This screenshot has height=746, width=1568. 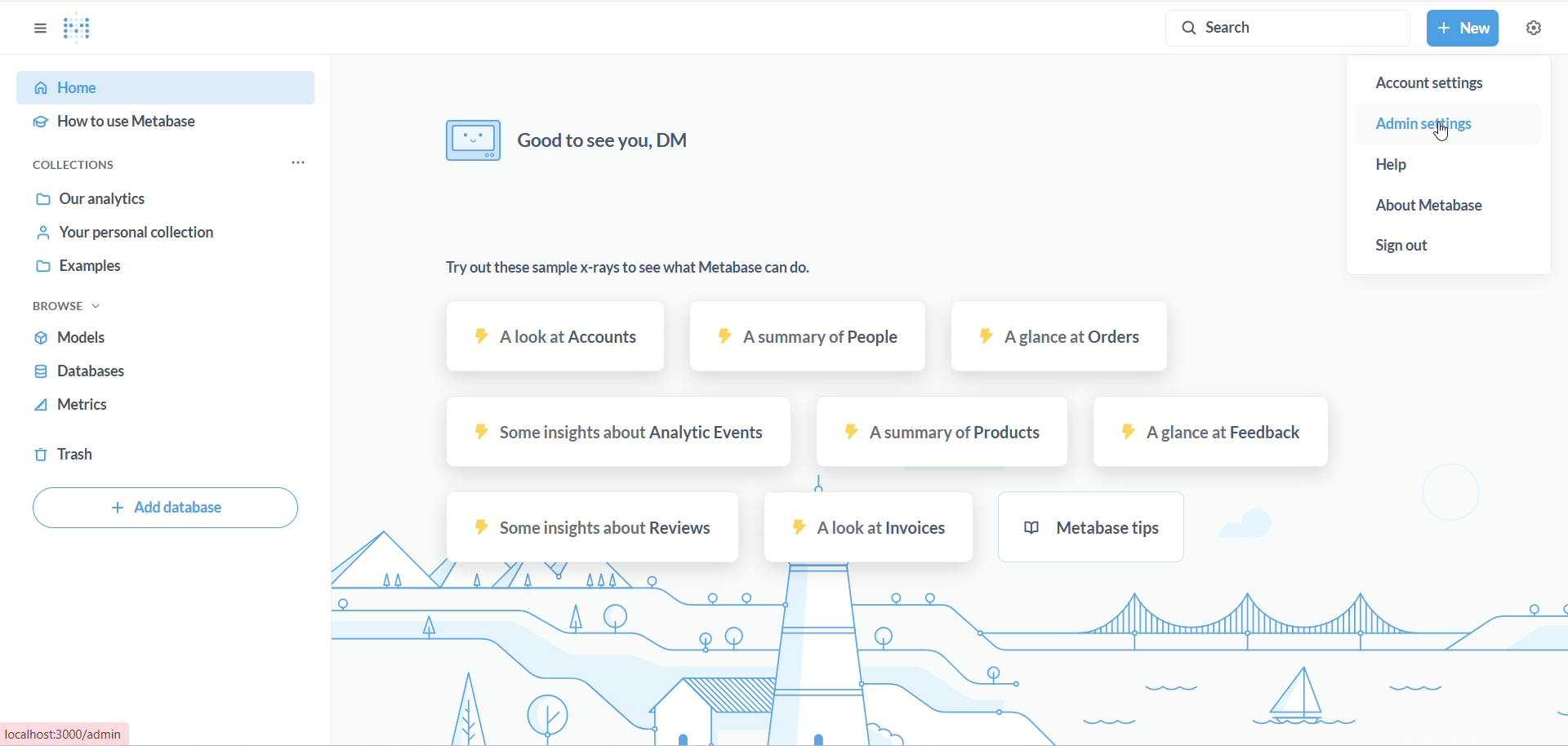 I want to click on home, so click(x=166, y=87).